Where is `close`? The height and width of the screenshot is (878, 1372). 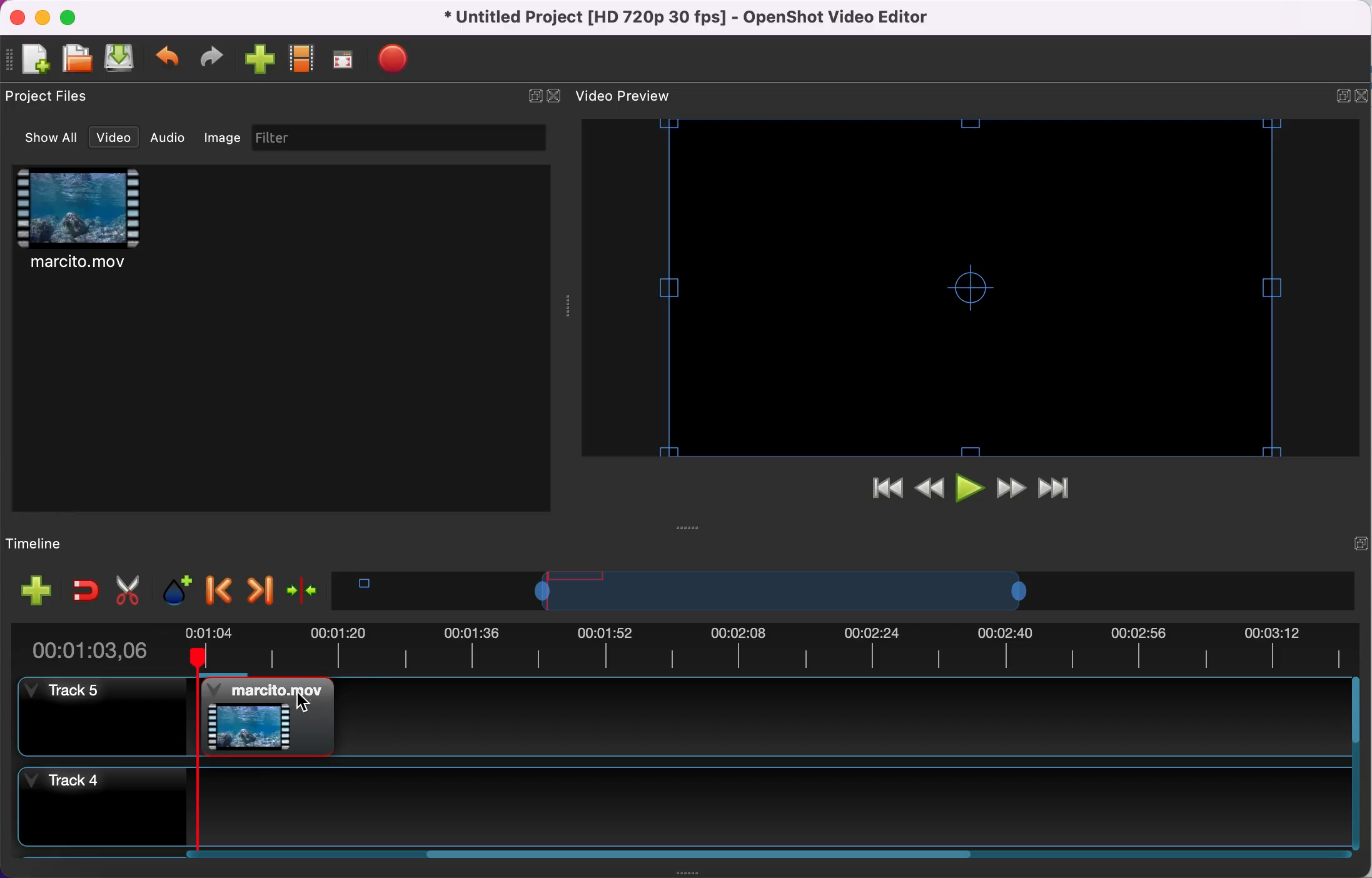
close is located at coordinates (557, 97).